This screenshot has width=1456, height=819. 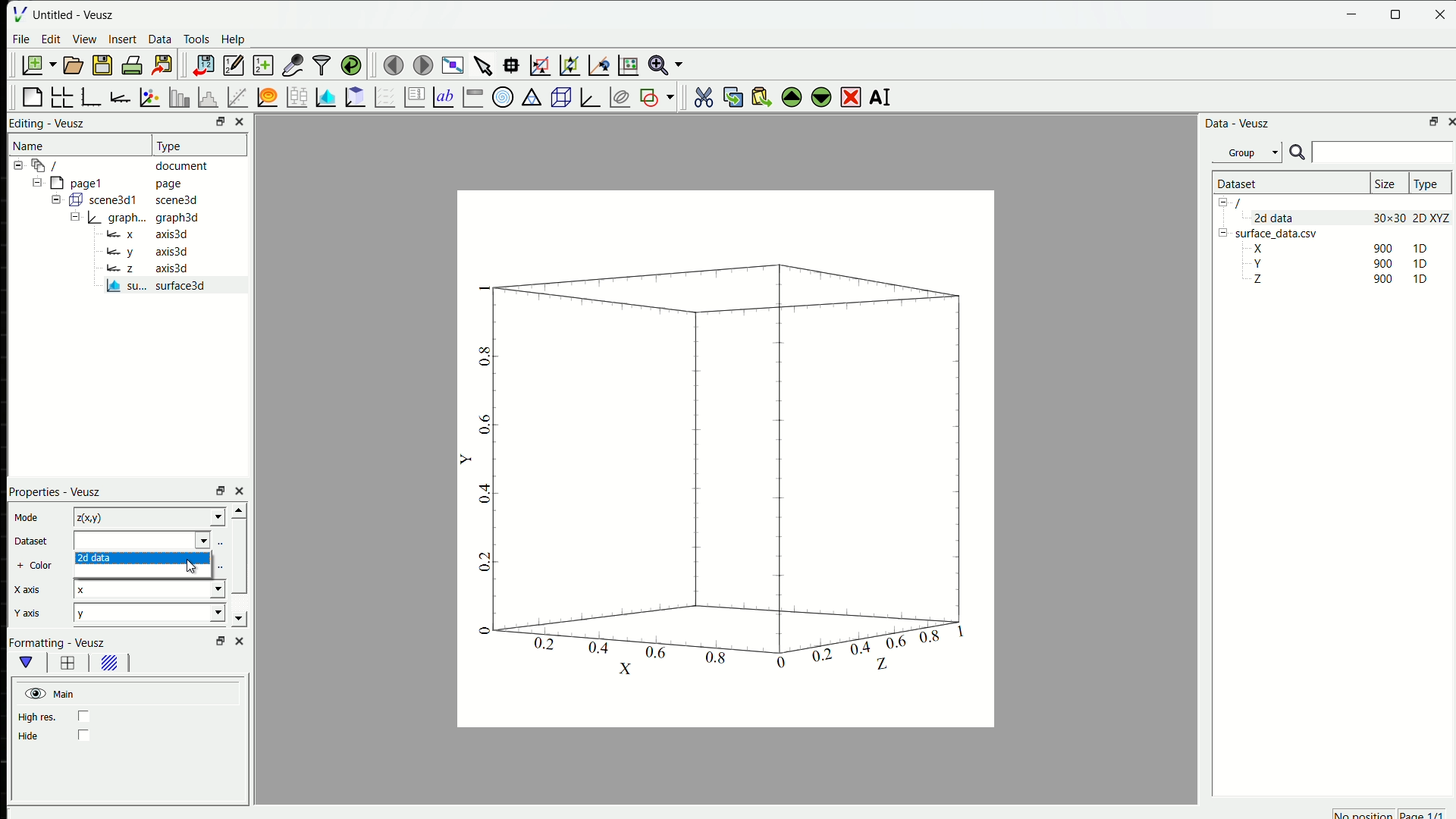 I want to click on close, so click(x=240, y=641).